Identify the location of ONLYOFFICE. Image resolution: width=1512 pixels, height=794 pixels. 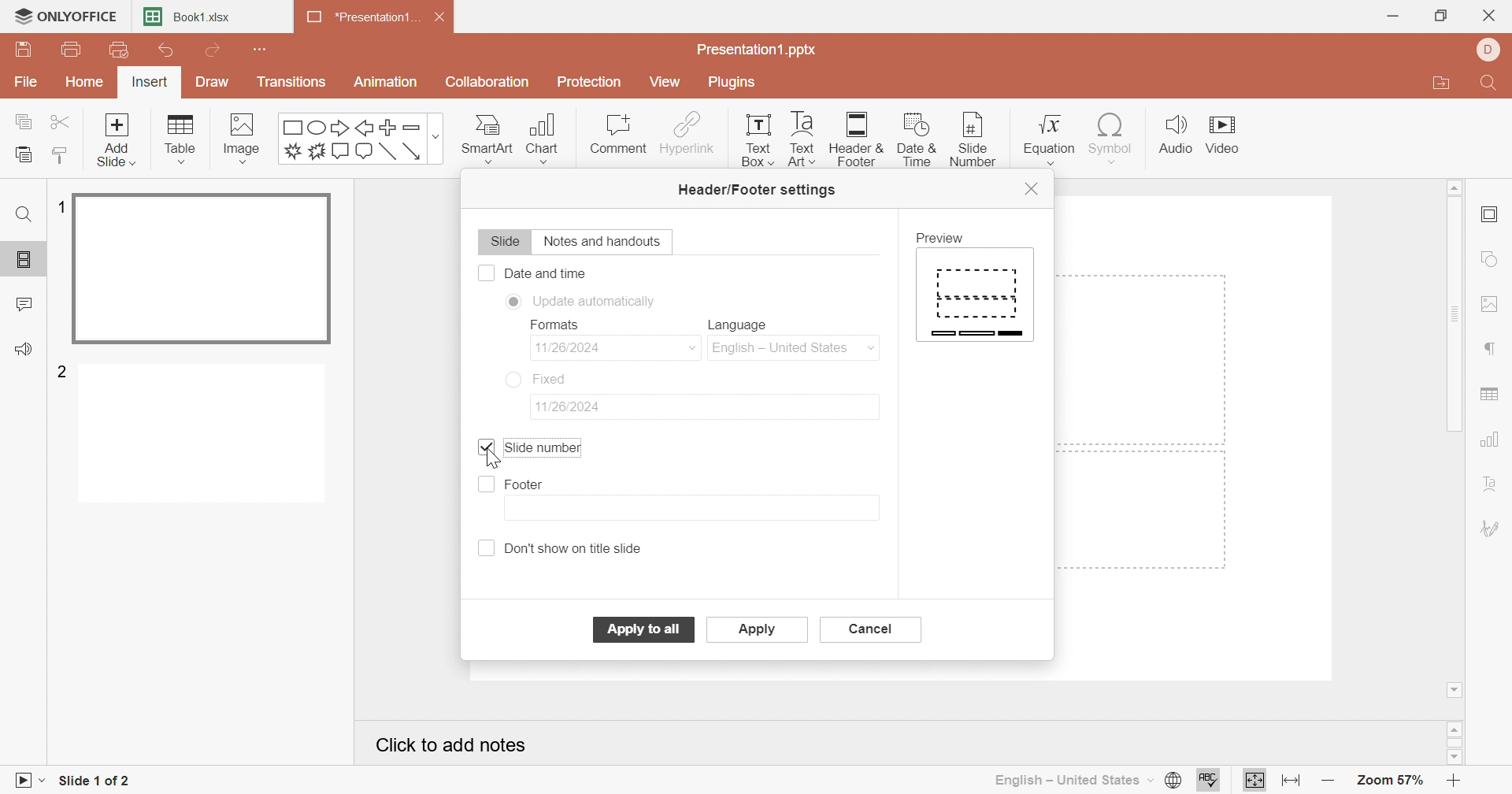
(65, 14).